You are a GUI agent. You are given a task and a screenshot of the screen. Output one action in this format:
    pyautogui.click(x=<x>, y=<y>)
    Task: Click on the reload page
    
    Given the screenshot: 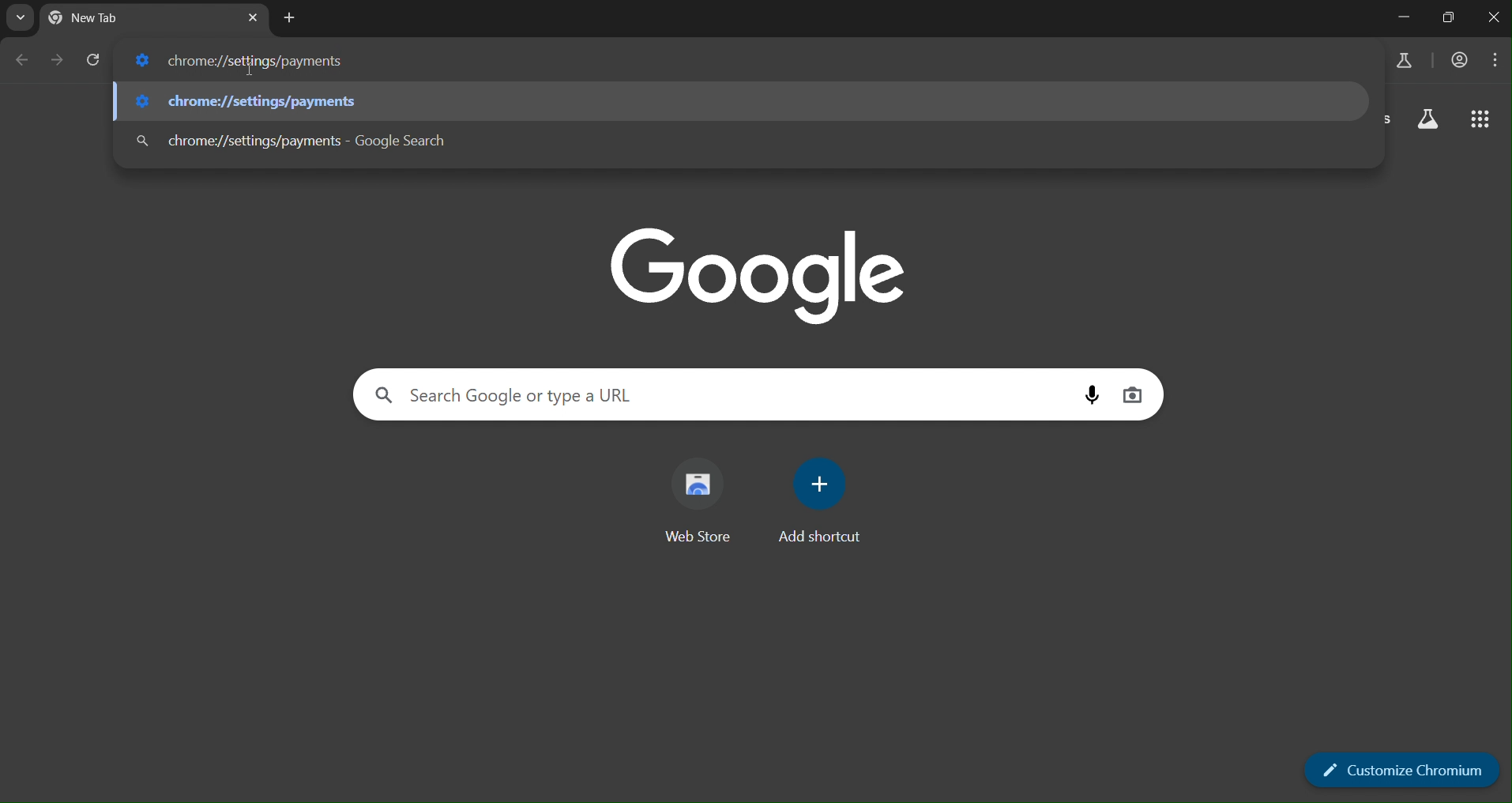 What is the action you would take?
    pyautogui.click(x=96, y=60)
    